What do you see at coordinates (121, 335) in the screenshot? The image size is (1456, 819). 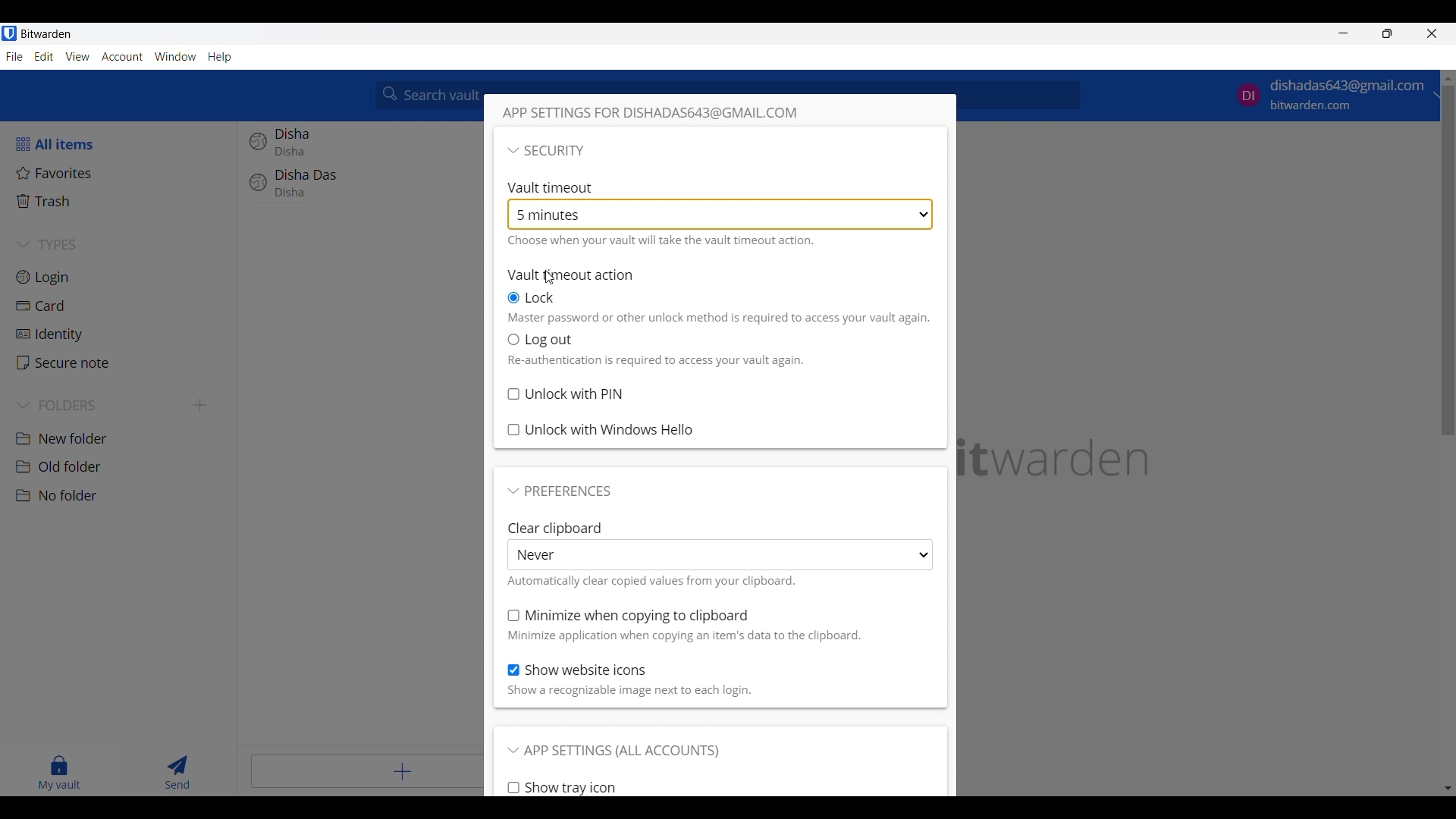 I see `Identity` at bounding box center [121, 335].